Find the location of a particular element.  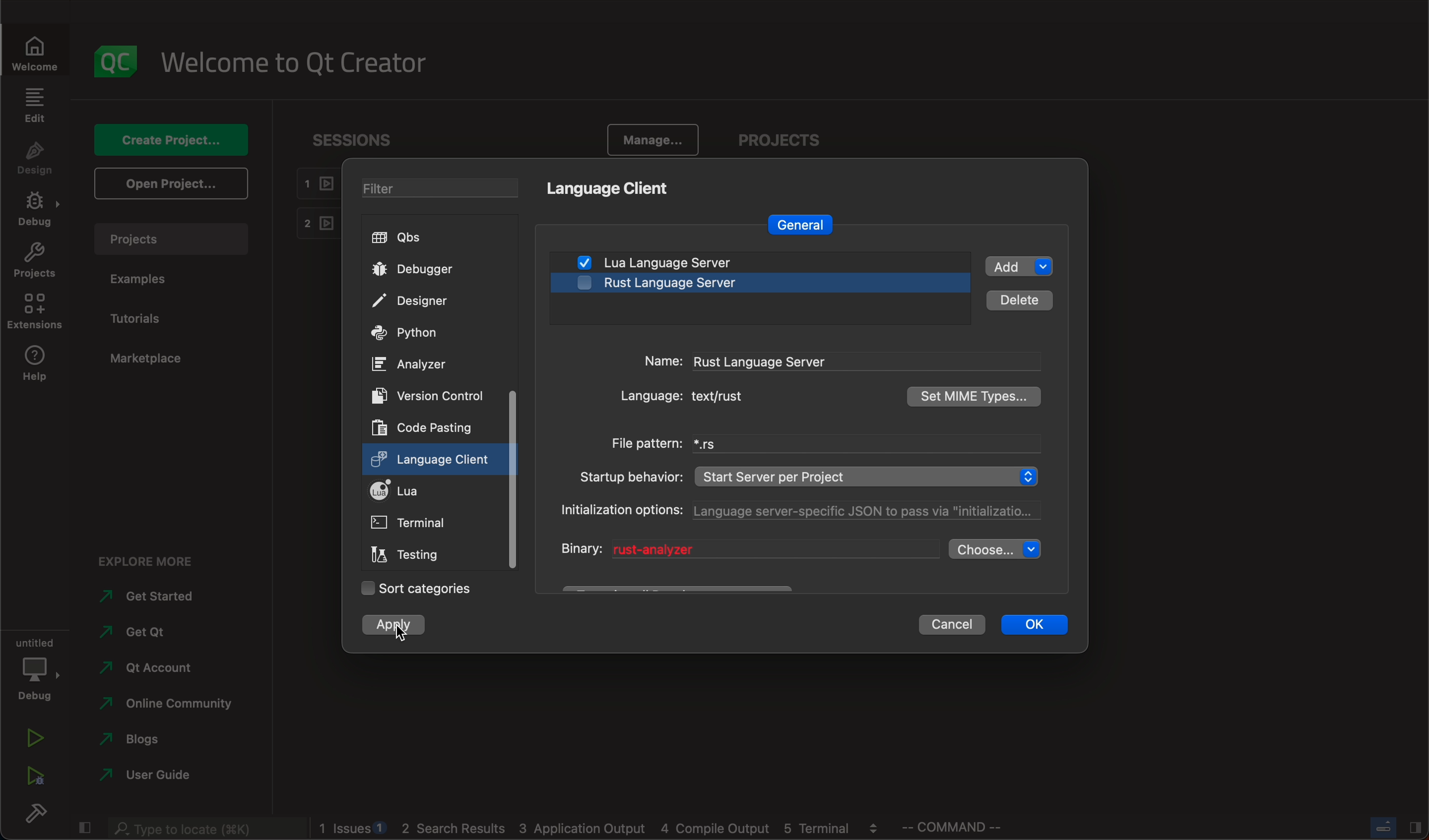

create is located at coordinates (167, 142).